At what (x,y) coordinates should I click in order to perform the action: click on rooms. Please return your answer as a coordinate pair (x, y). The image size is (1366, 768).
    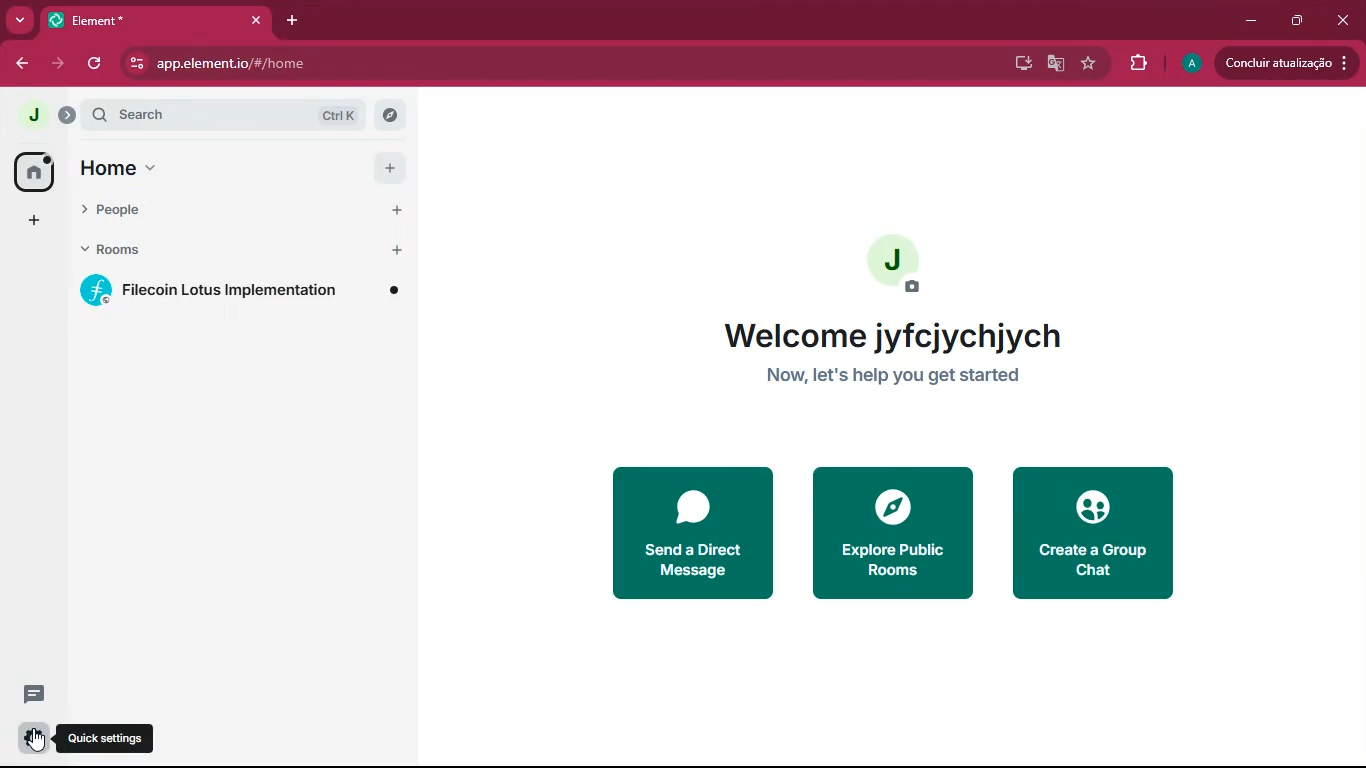
    Looking at the image, I should click on (206, 249).